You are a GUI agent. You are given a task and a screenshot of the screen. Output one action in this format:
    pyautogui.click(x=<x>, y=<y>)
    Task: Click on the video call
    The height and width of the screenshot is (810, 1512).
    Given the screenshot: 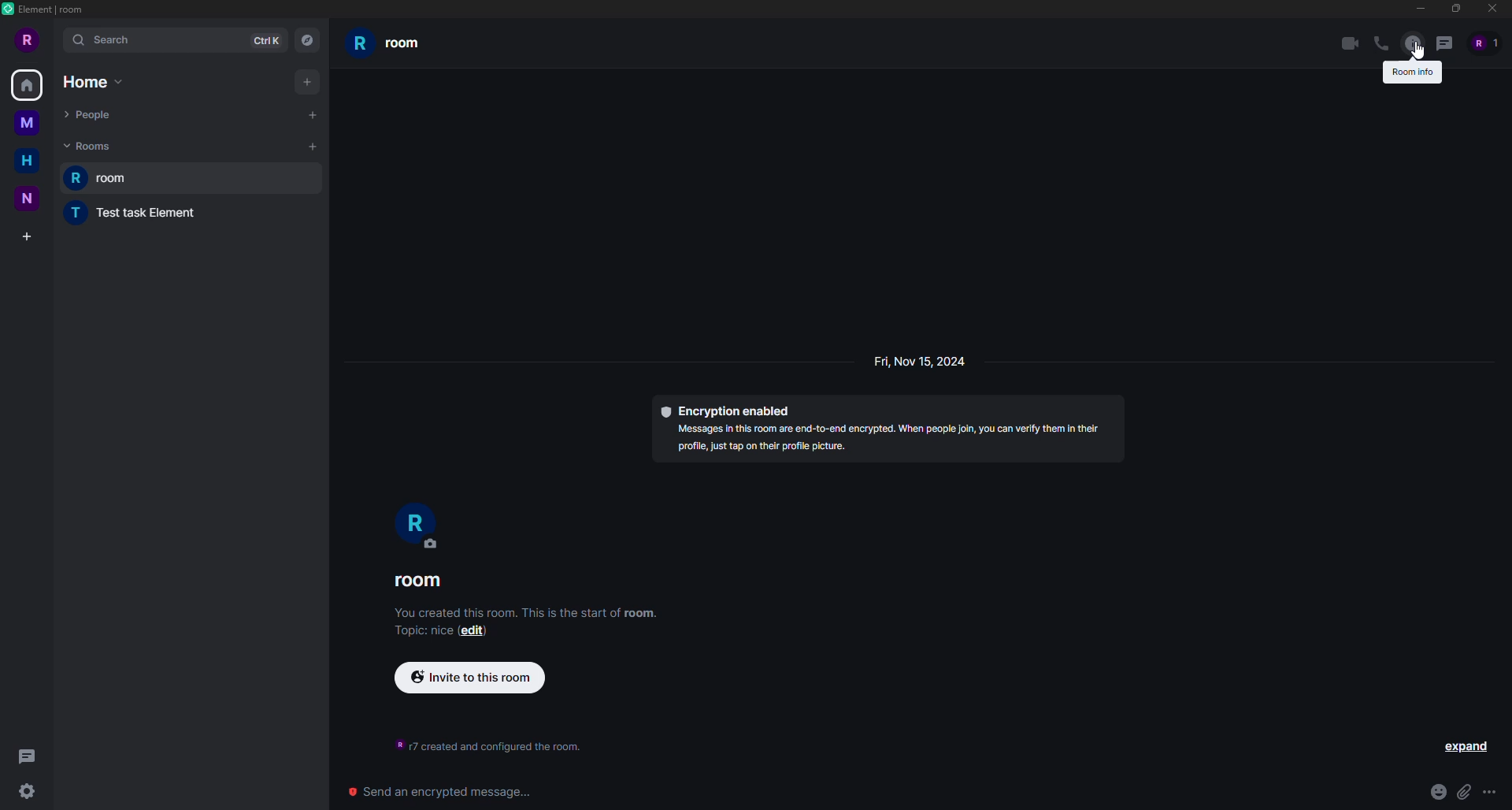 What is the action you would take?
    pyautogui.click(x=1345, y=44)
    